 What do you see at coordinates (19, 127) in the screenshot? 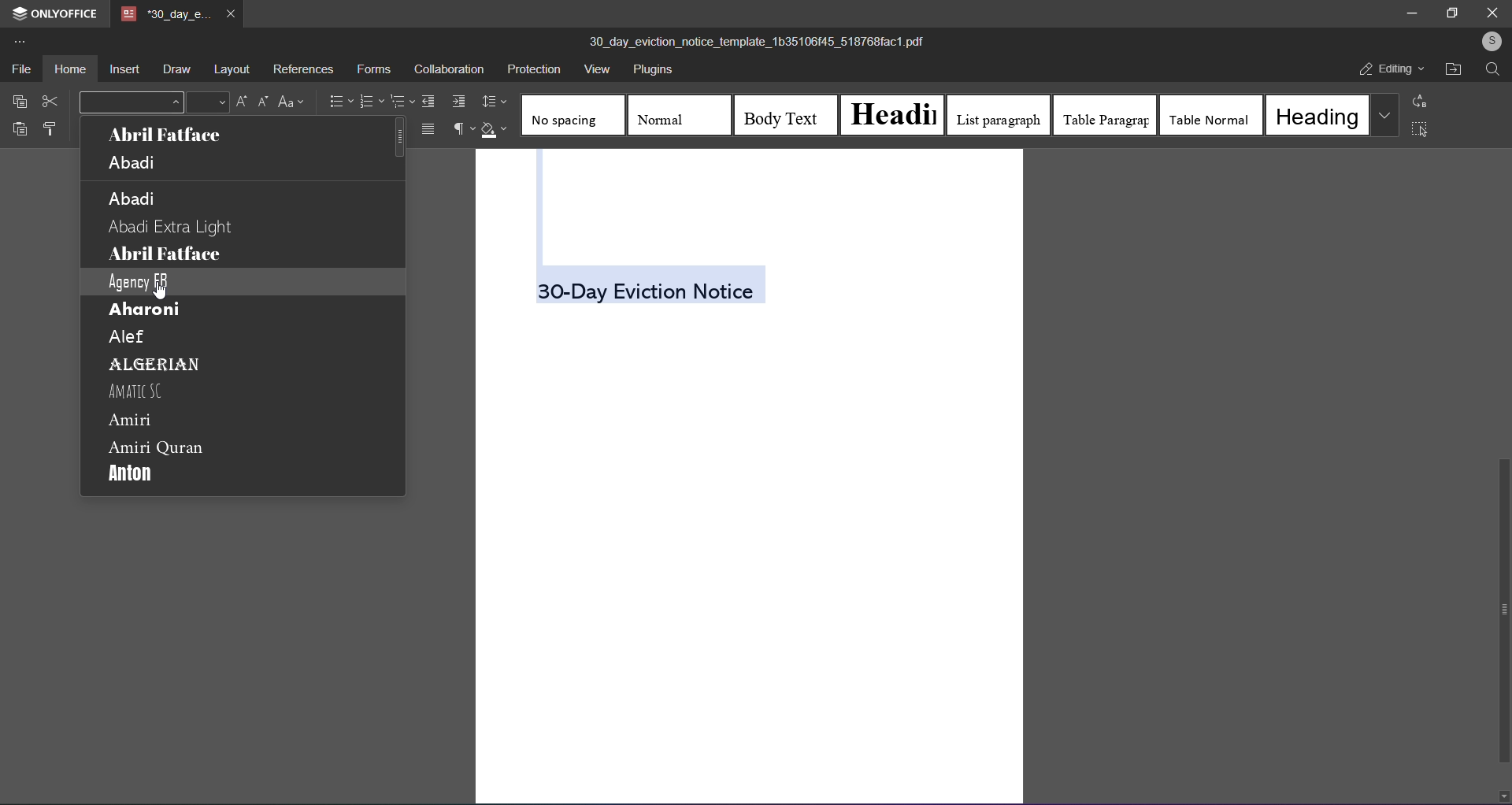
I see `paste` at bounding box center [19, 127].